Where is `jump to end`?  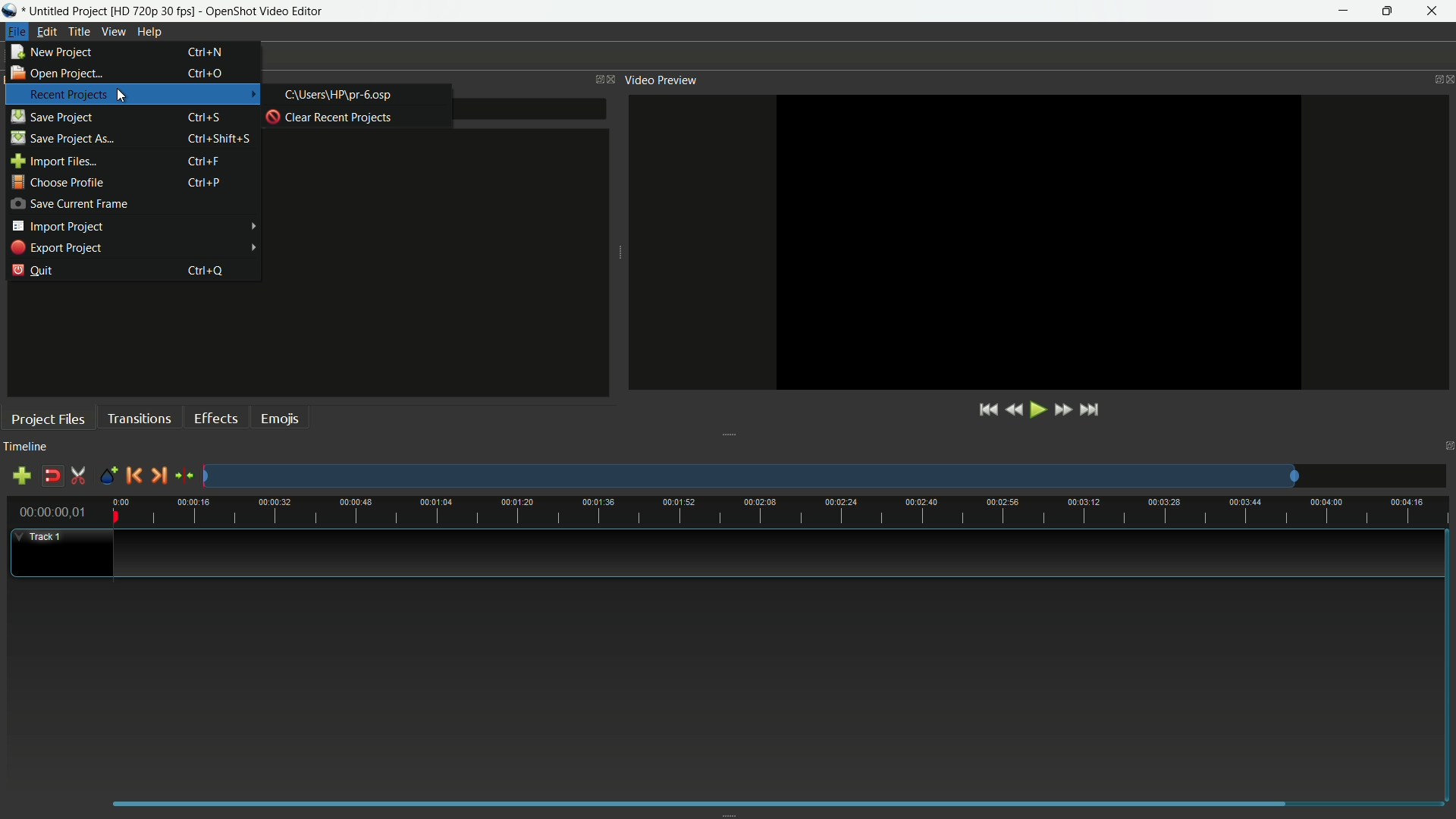
jump to end is located at coordinates (1090, 411).